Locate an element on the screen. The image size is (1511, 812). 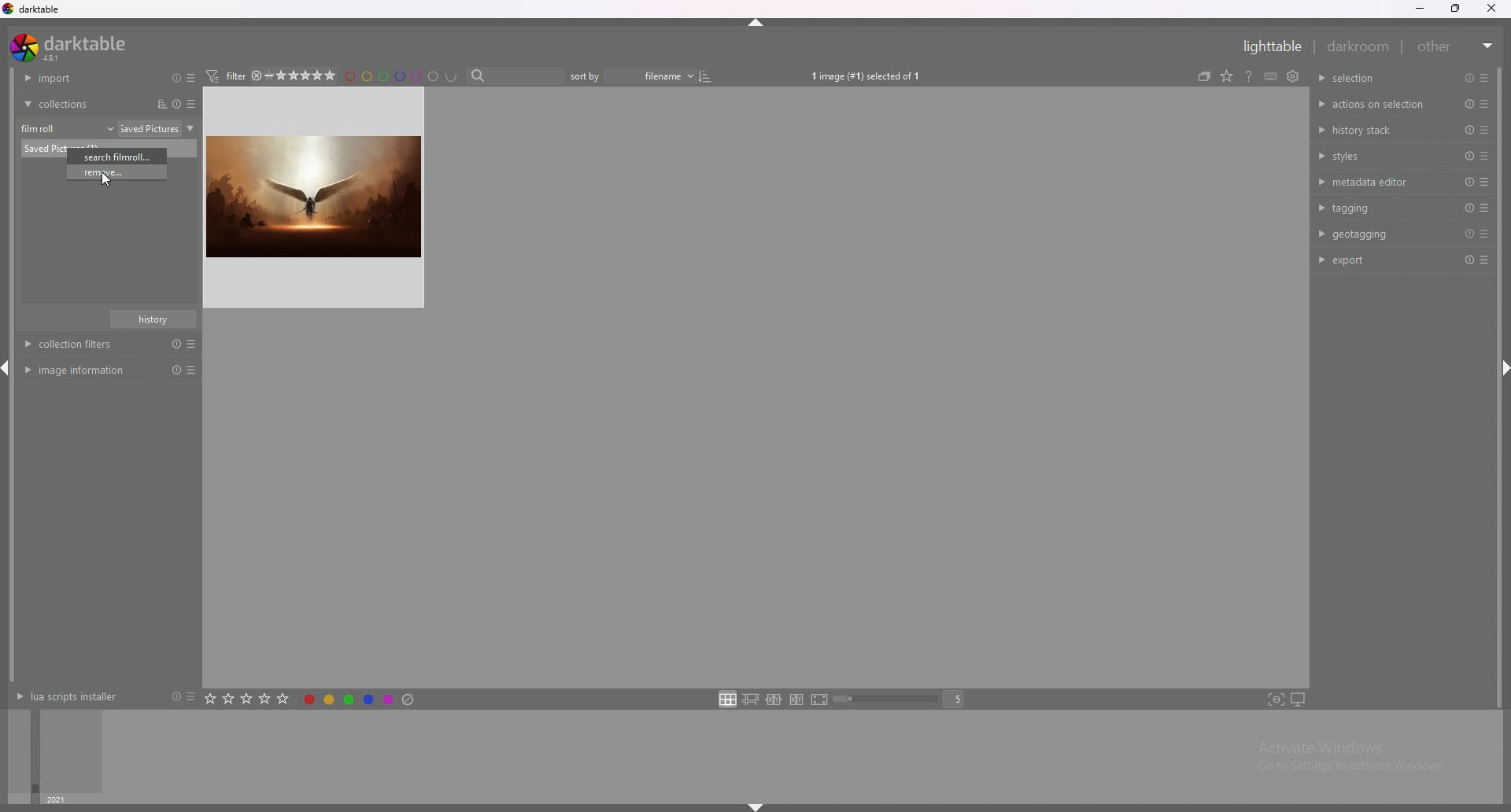
remove is located at coordinates (123, 172).